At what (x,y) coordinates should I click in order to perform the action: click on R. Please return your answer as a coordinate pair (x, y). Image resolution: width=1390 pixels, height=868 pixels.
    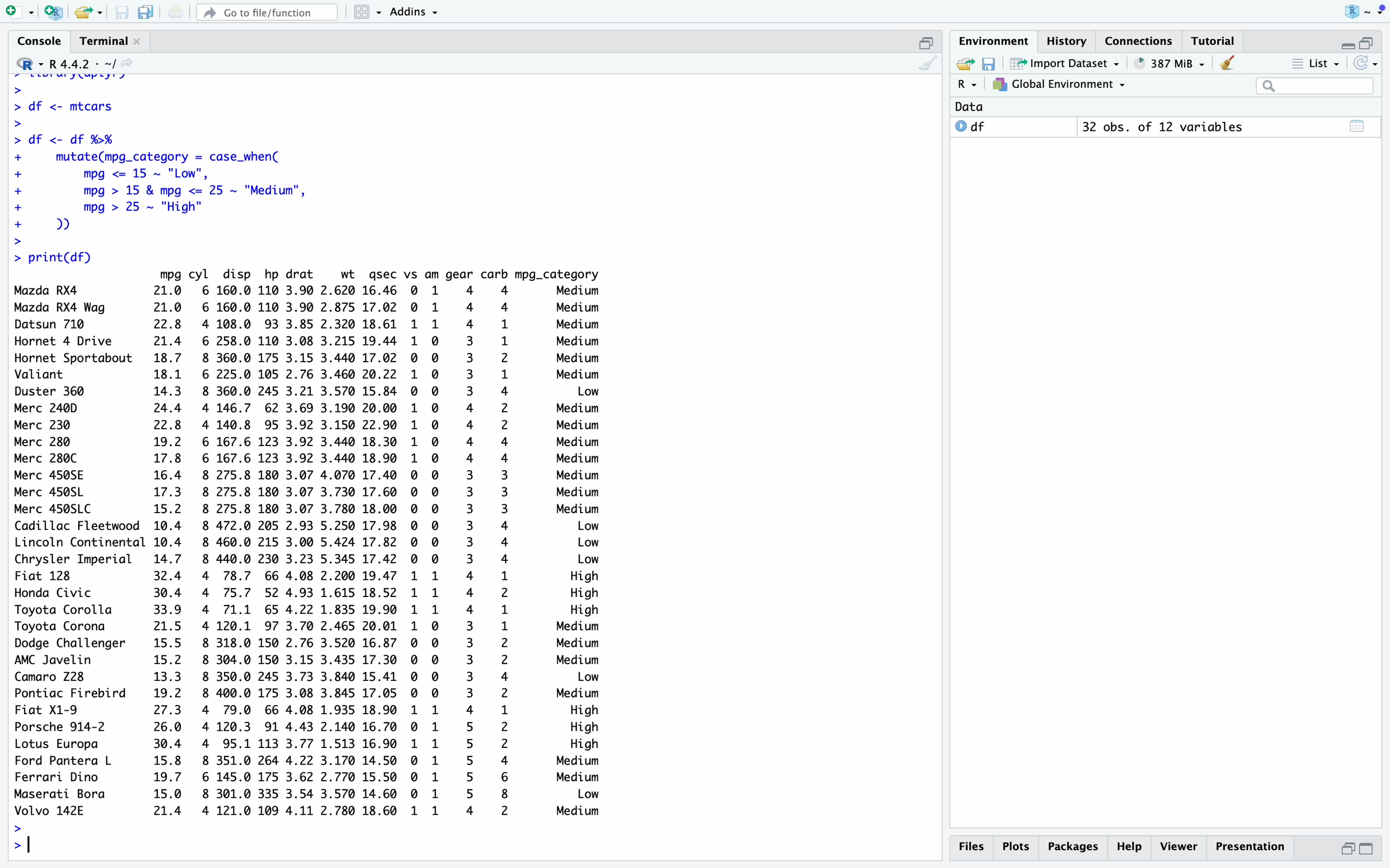
    Looking at the image, I should click on (29, 64).